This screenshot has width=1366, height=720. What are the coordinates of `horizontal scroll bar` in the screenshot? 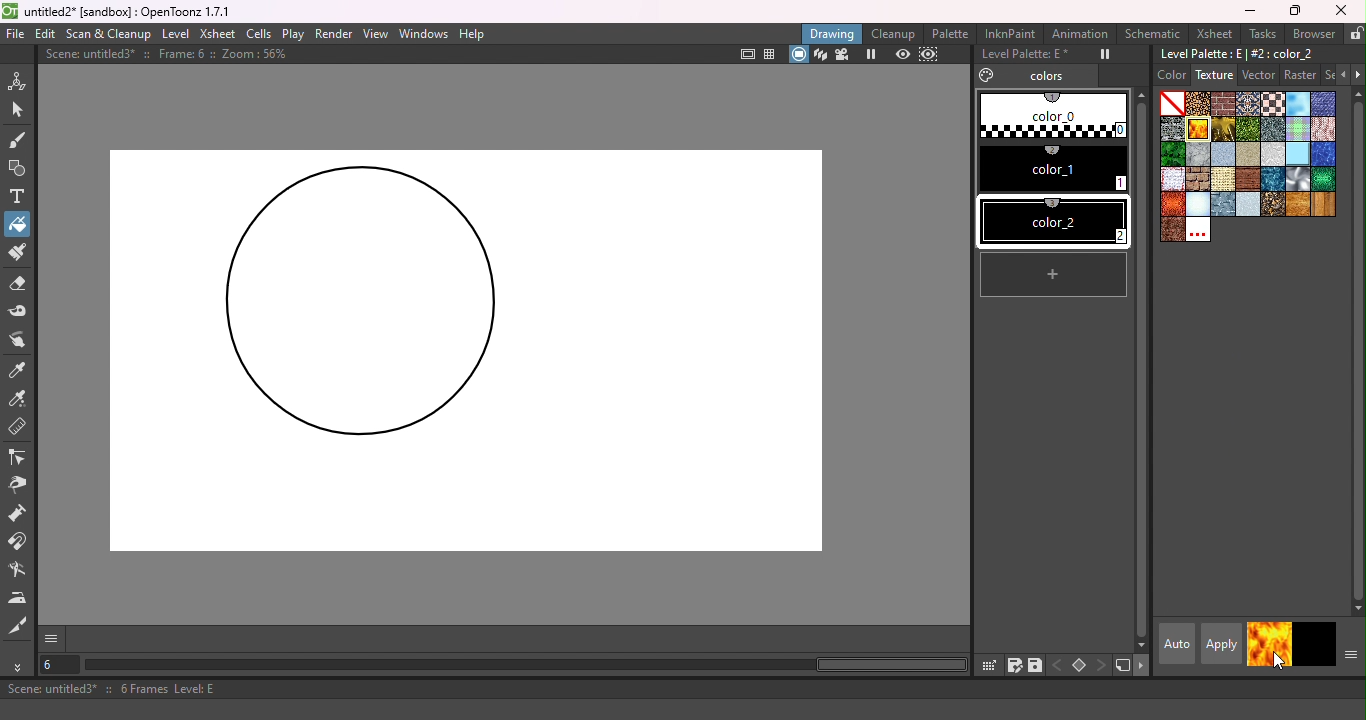 It's located at (527, 665).